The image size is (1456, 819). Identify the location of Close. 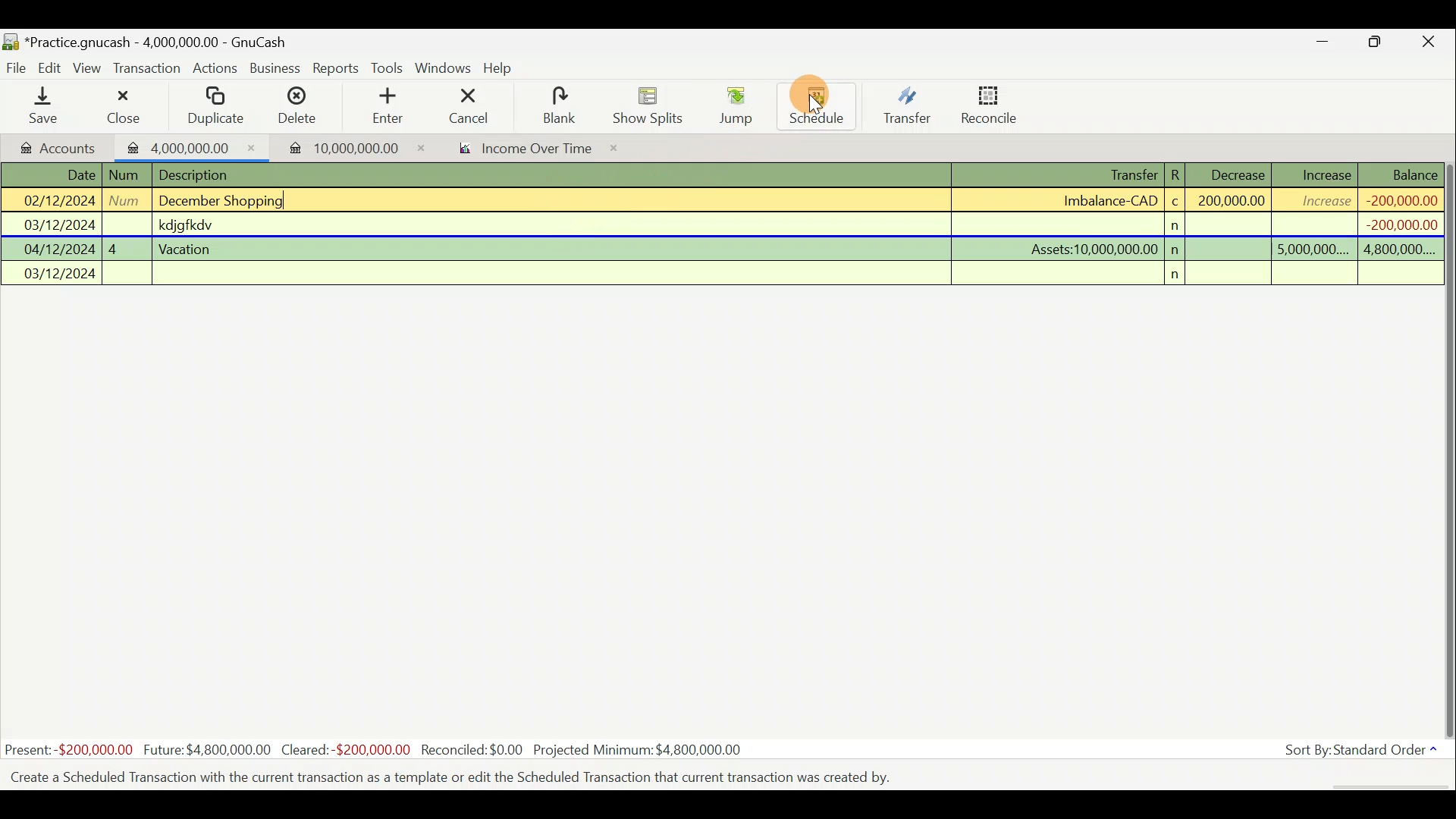
(1429, 44).